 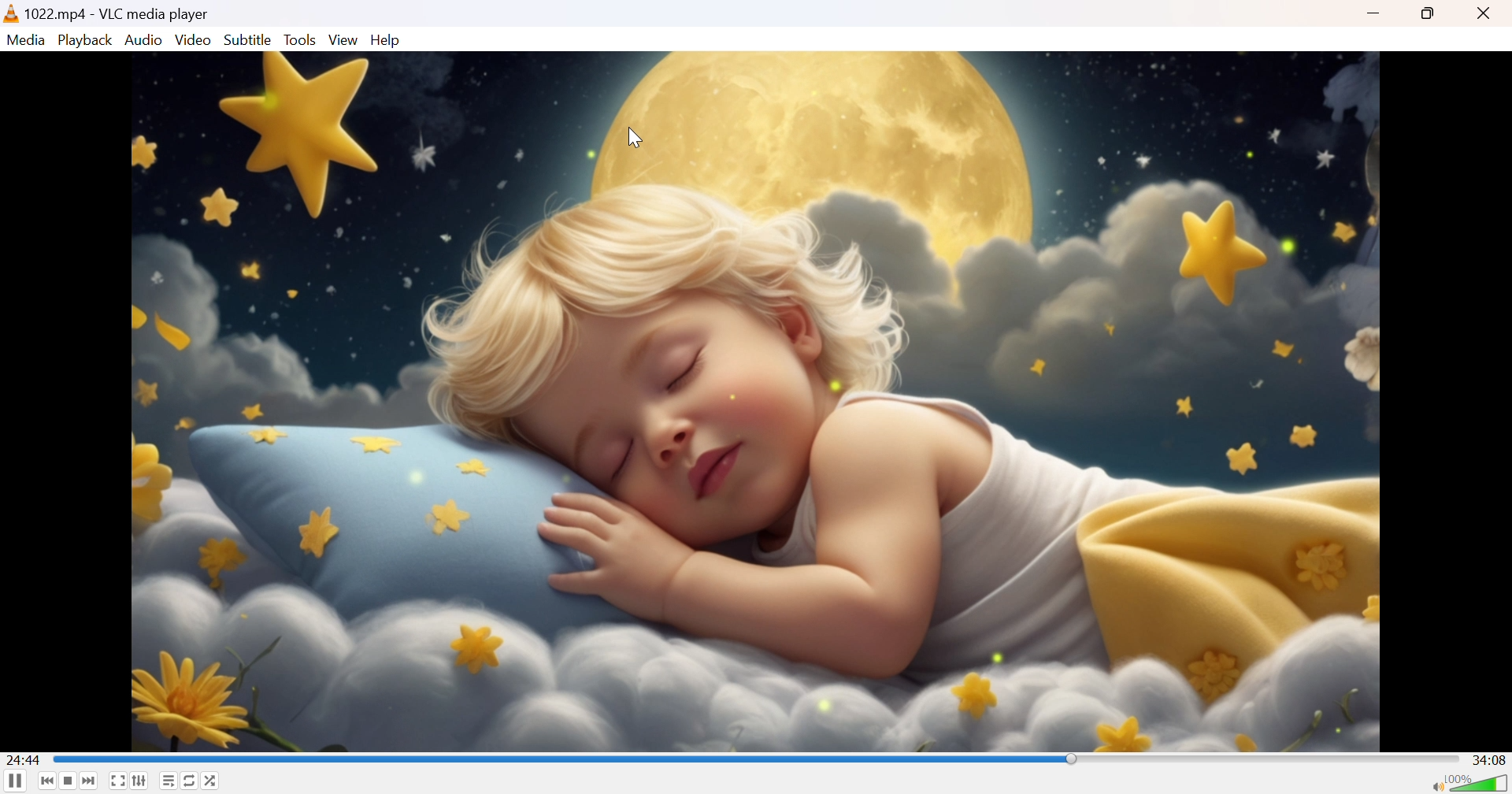 I want to click on Tools, so click(x=302, y=39).